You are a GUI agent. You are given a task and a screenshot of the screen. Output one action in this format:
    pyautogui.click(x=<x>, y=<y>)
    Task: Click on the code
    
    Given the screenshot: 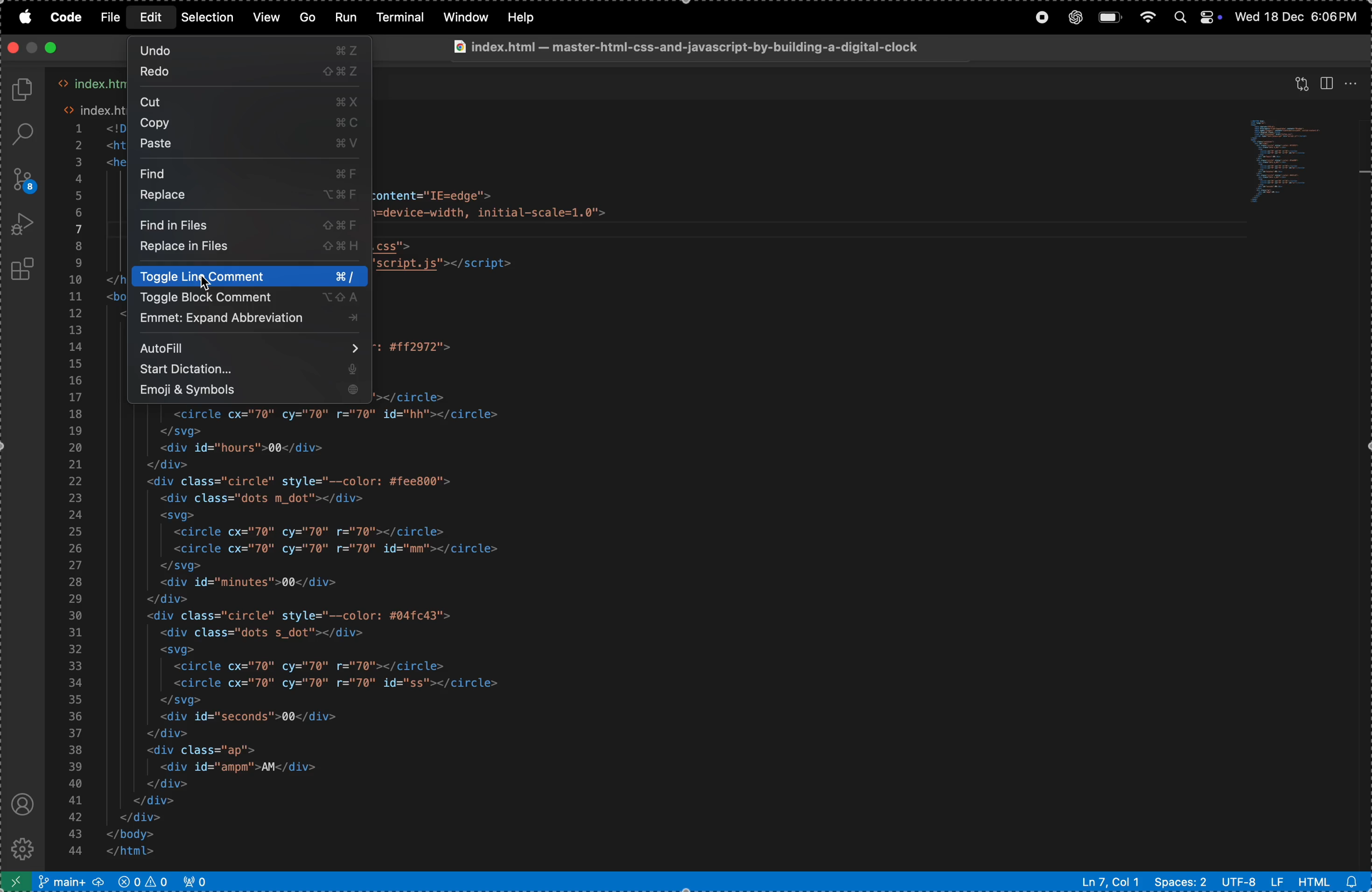 What is the action you would take?
    pyautogui.click(x=66, y=18)
    